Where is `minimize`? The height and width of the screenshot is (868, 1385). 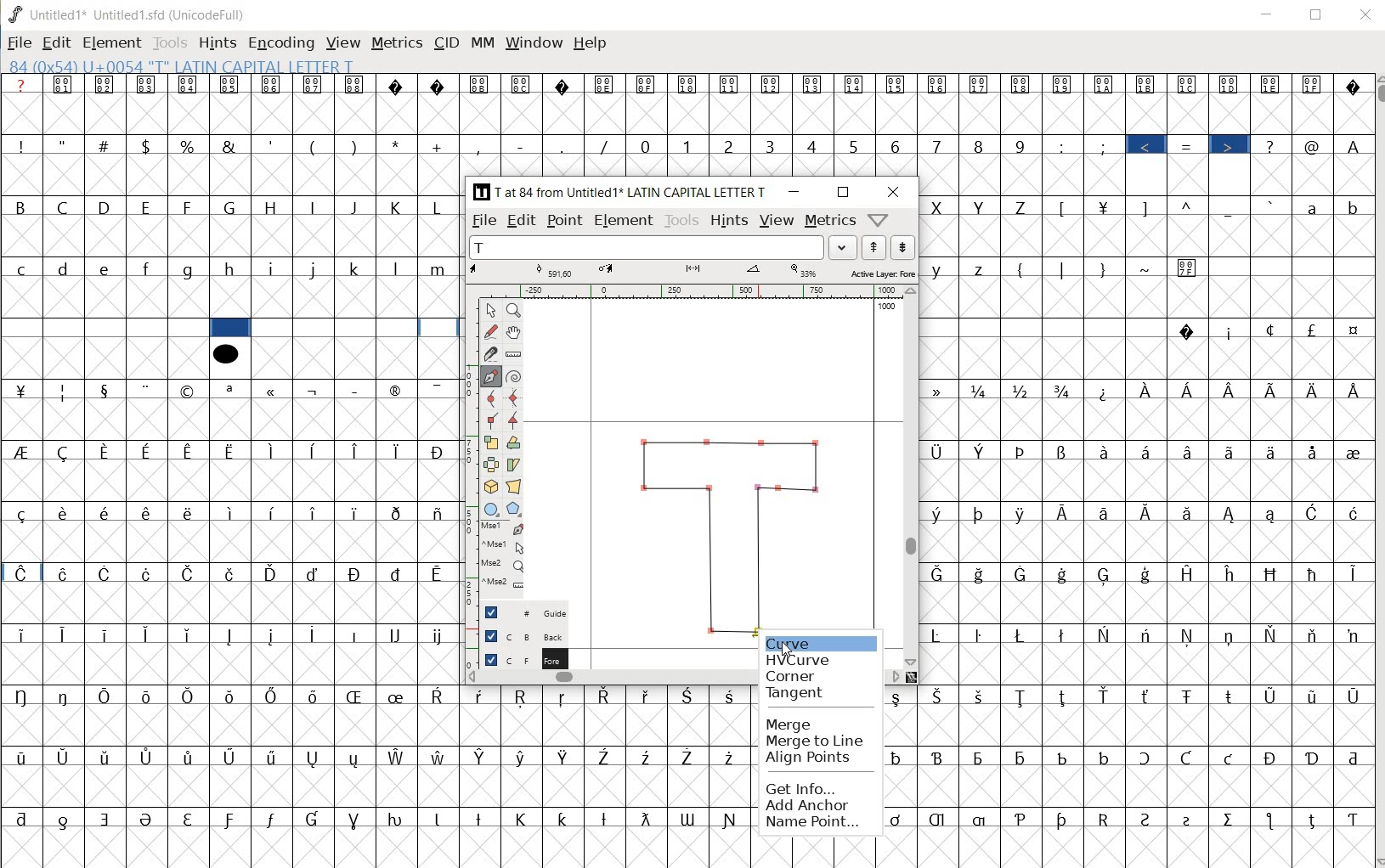
minimize is located at coordinates (794, 192).